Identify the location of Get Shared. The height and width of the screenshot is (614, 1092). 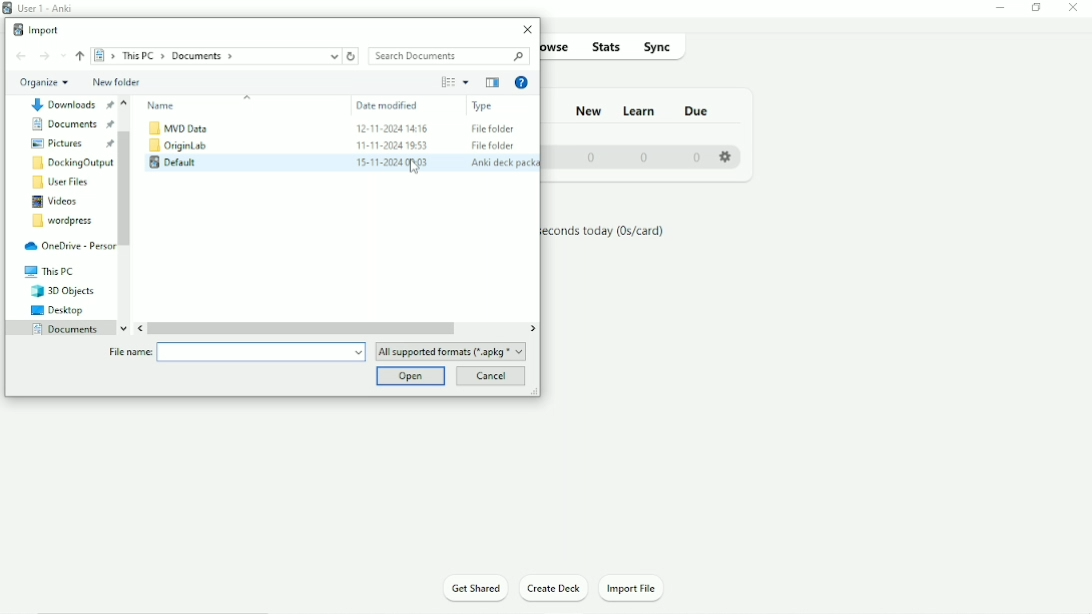
(474, 588).